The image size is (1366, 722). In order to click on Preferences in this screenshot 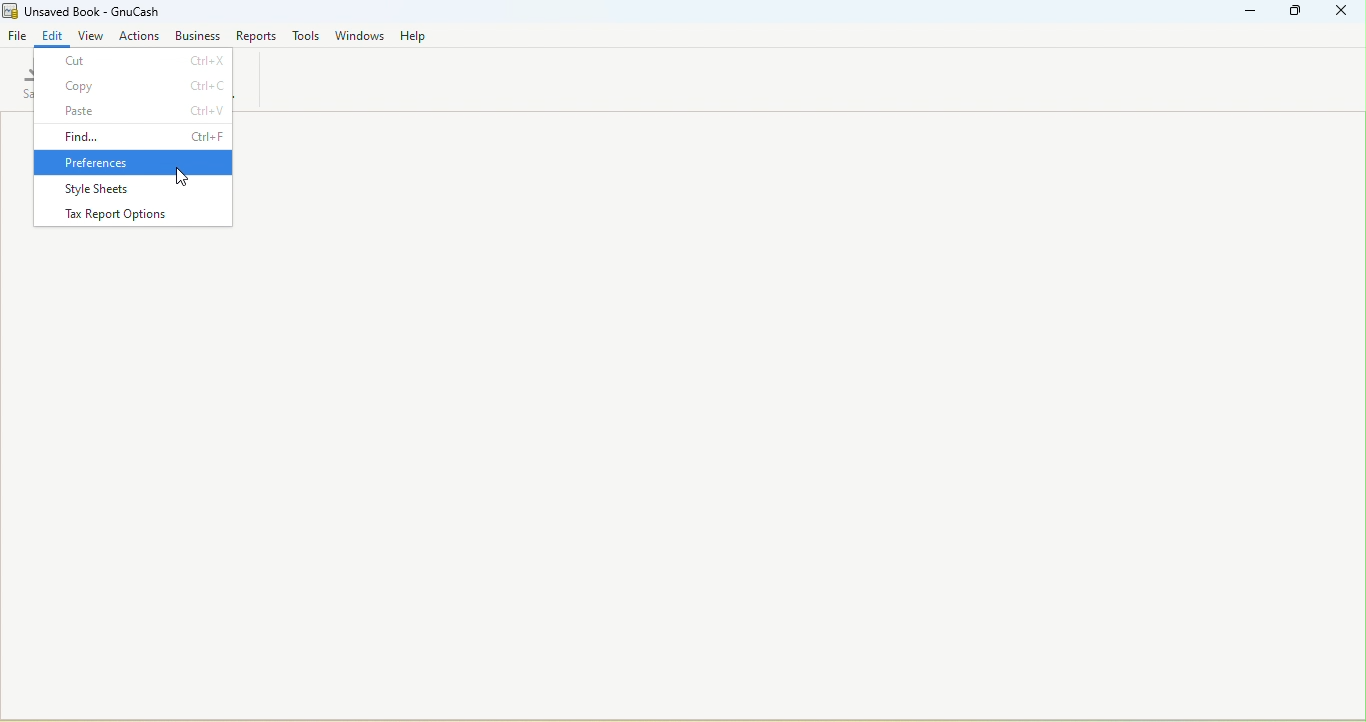, I will do `click(131, 163)`.